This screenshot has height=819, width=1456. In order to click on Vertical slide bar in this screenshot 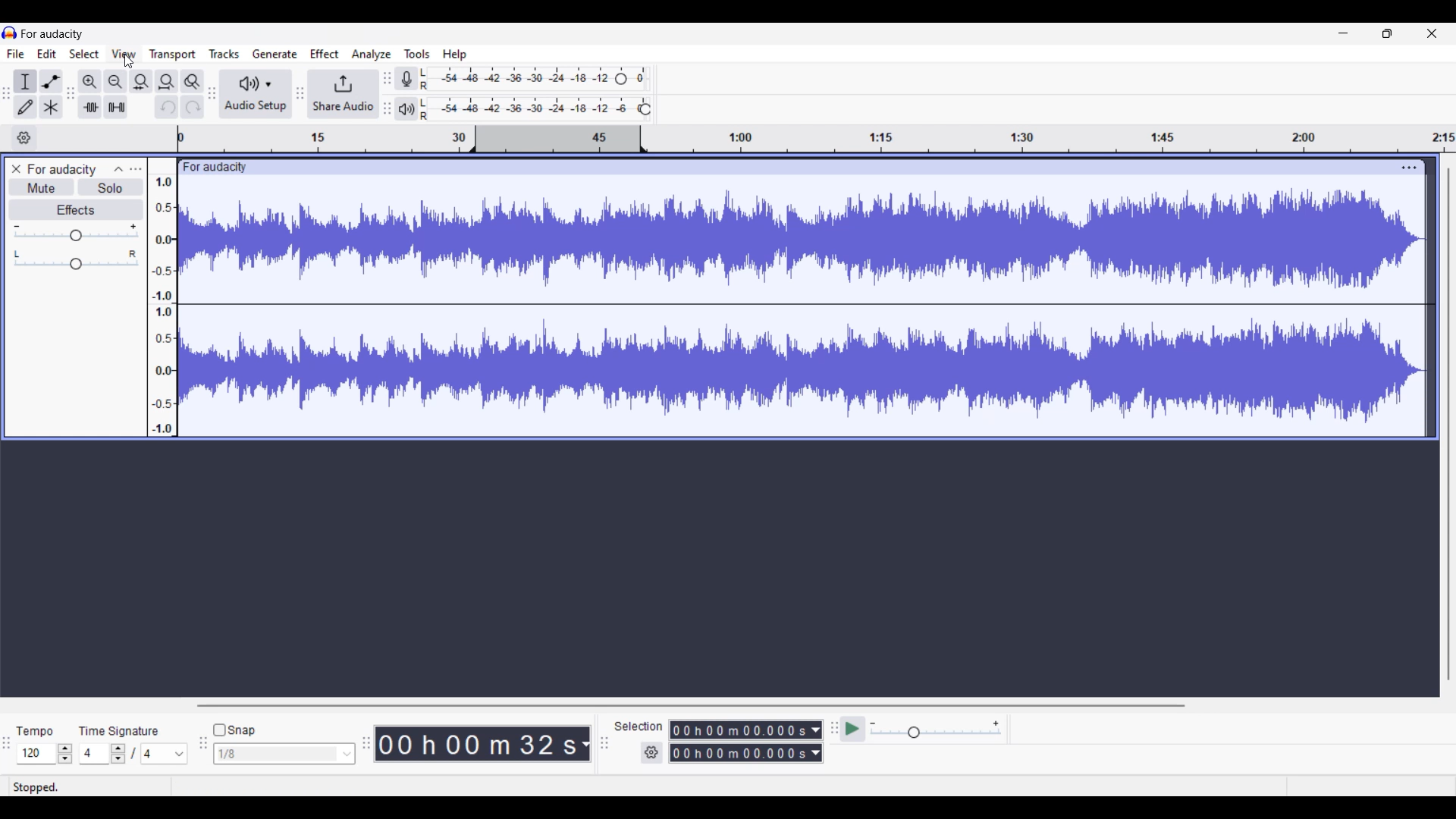, I will do `click(1449, 425)`.